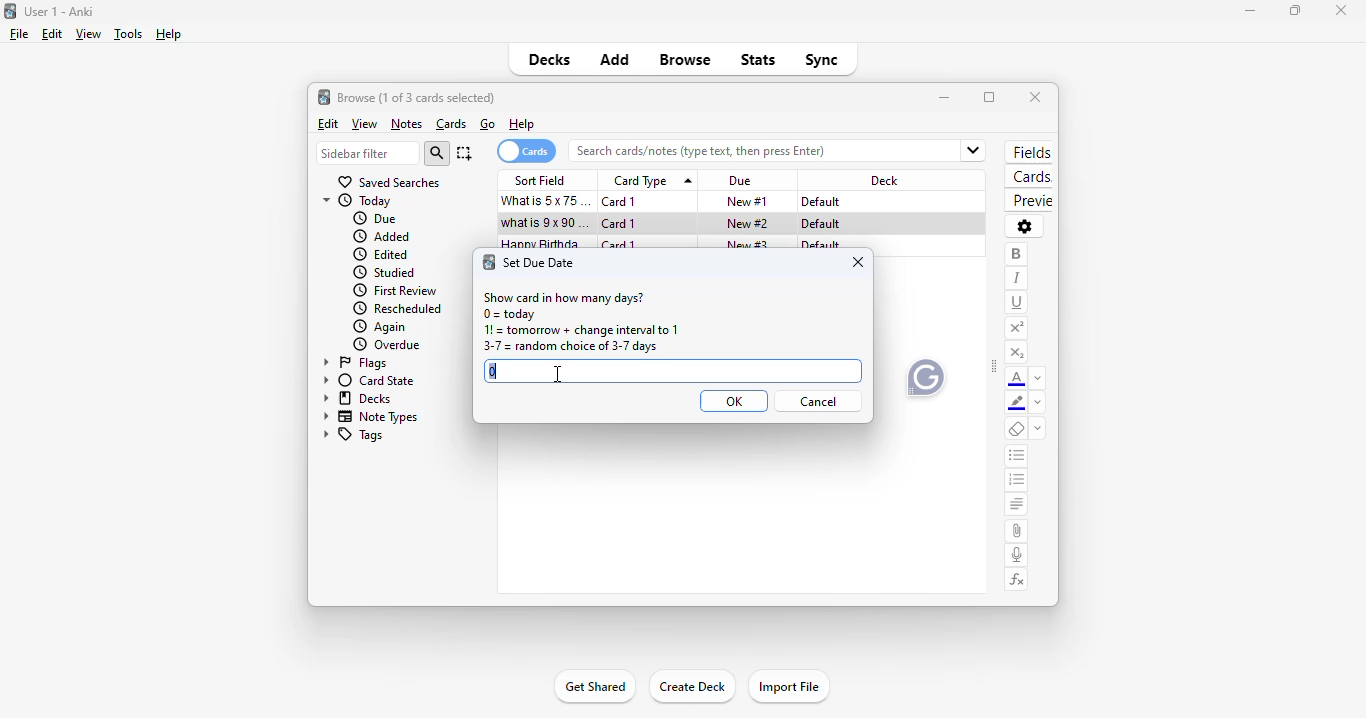 Image resolution: width=1366 pixels, height=718 pixels. Describe the element at coordinates (1018, 304) in the screenshot. I see `underline` at that location.